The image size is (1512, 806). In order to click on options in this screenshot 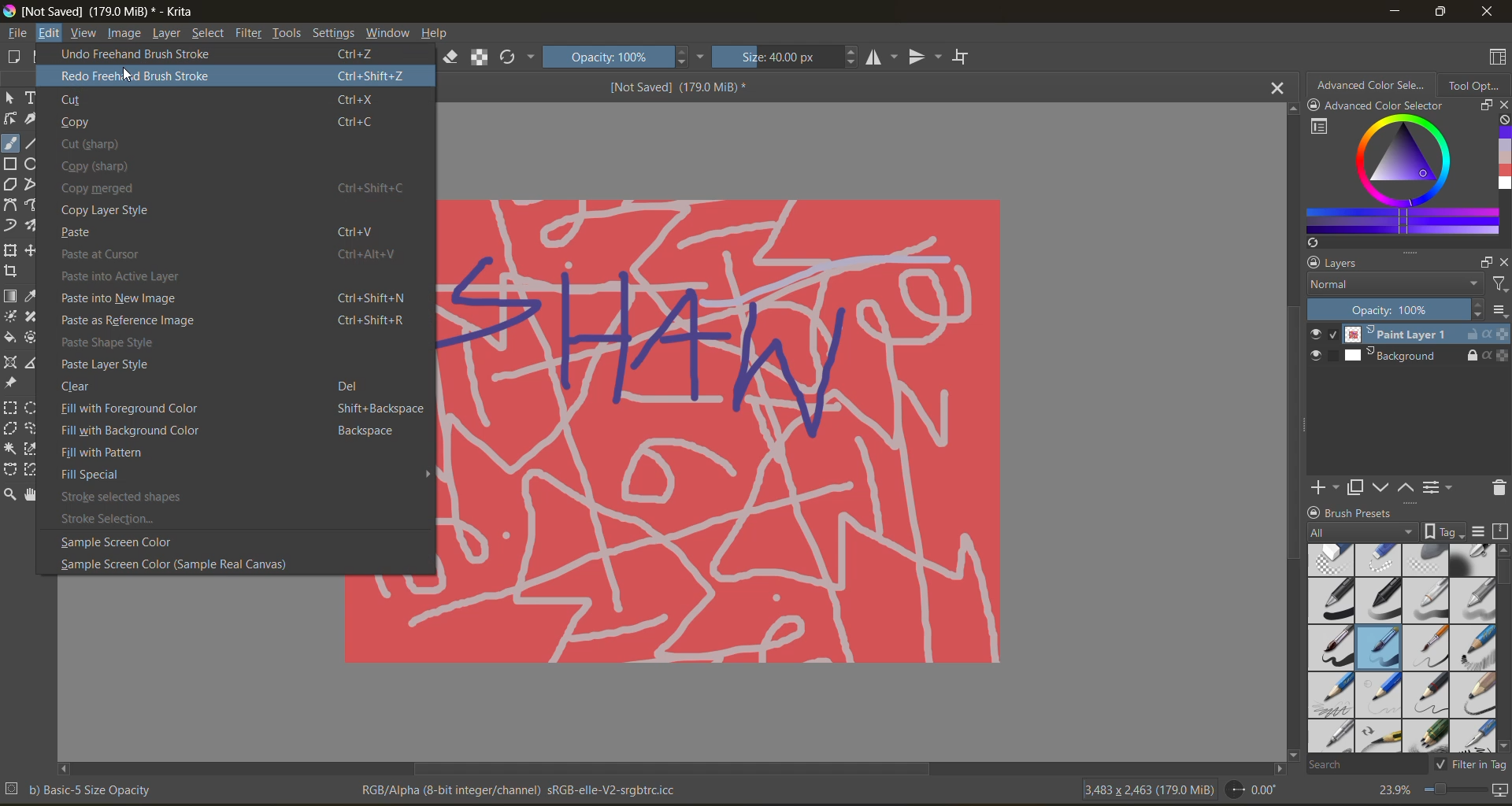, I will do `click(1498, 311)`.